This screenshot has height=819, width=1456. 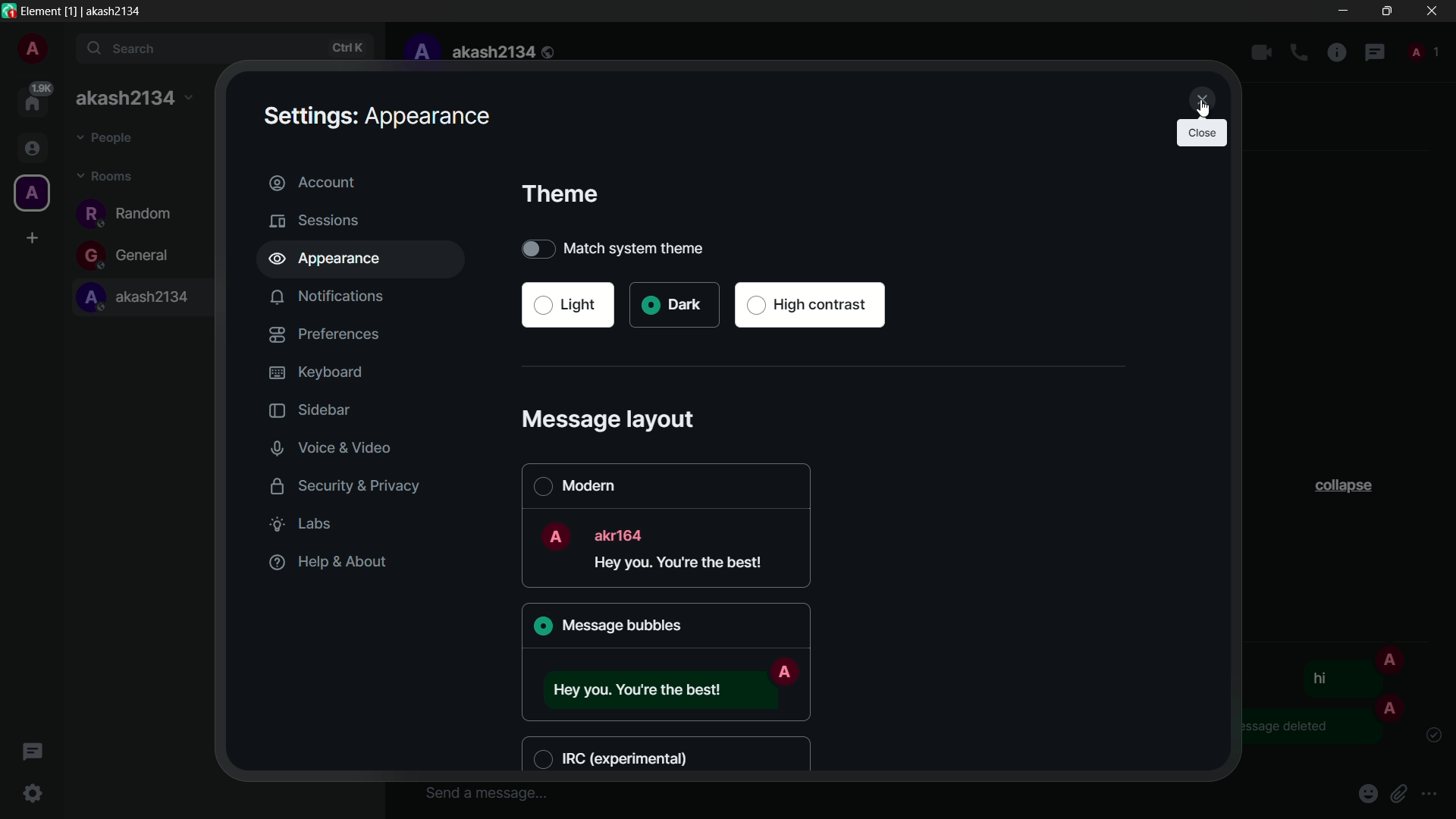 I want to click on voice and video, so click(x=334, y=448).